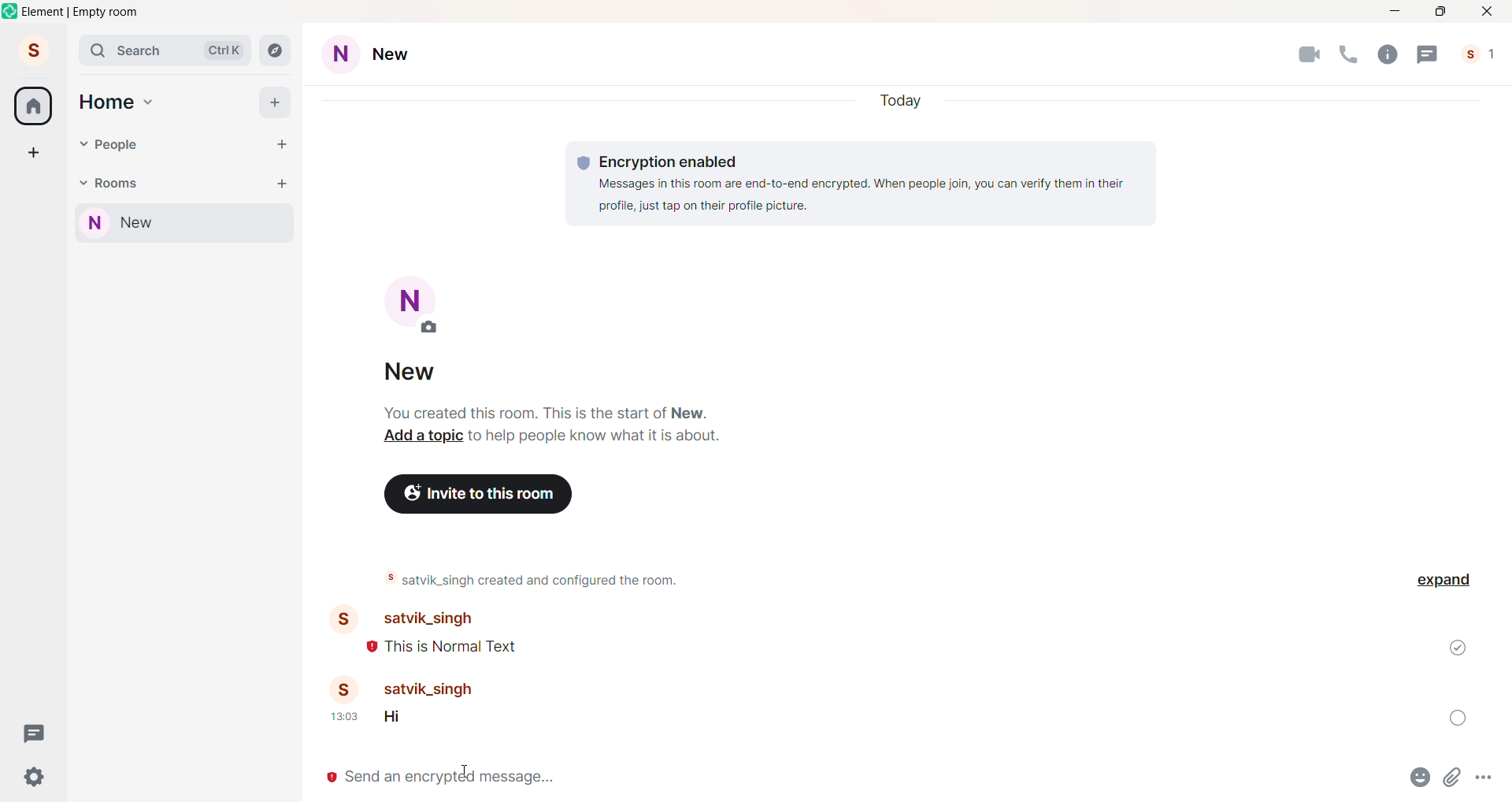  I want to click on Search Bar, so click(167, 51).